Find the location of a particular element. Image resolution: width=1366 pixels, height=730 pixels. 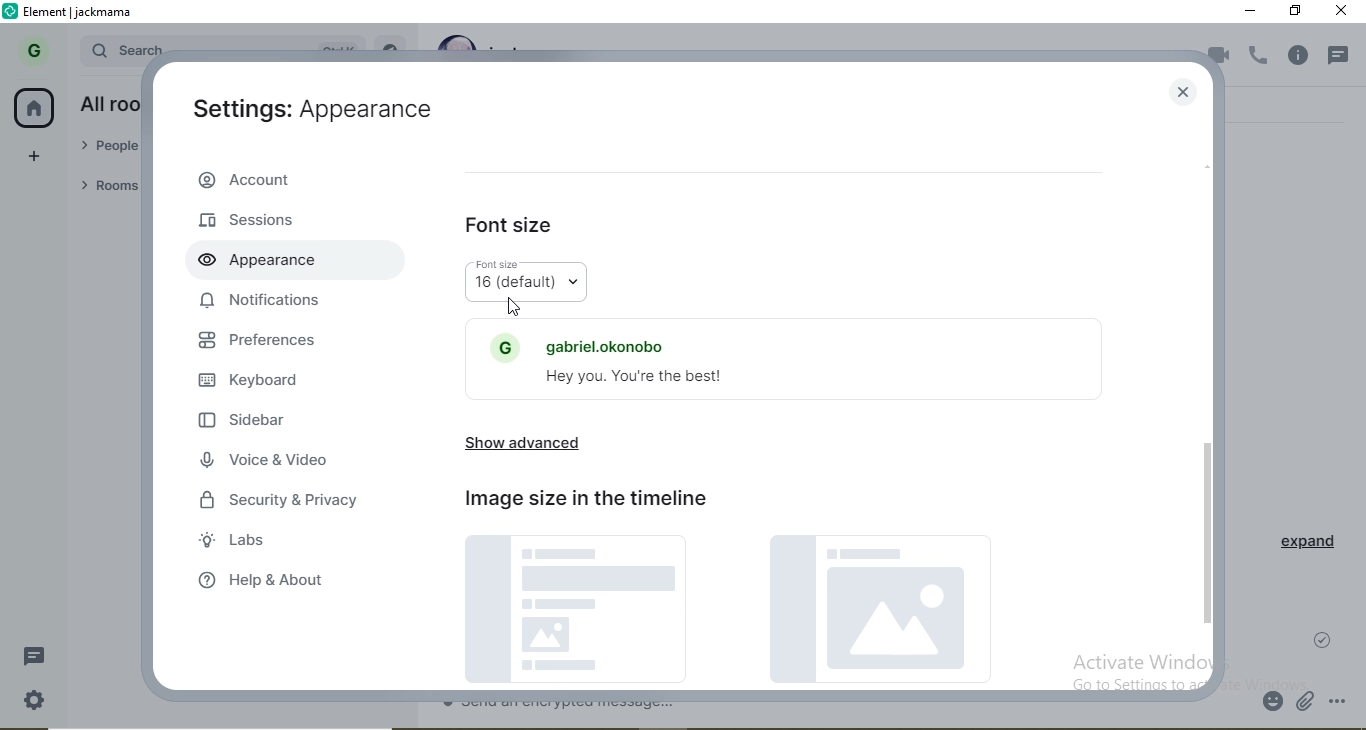

element is located at coordinates (79, 13).